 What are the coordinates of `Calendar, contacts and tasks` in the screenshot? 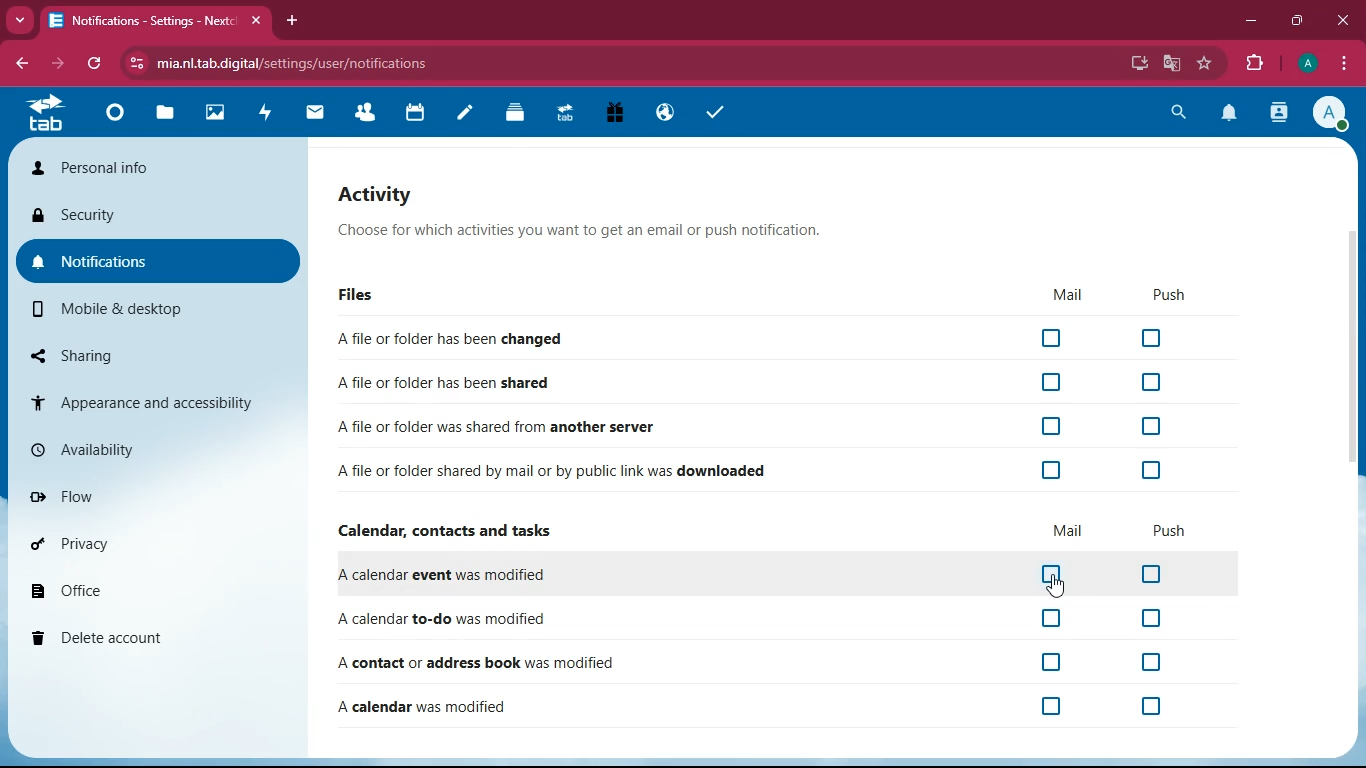 It's located at (451, 530).